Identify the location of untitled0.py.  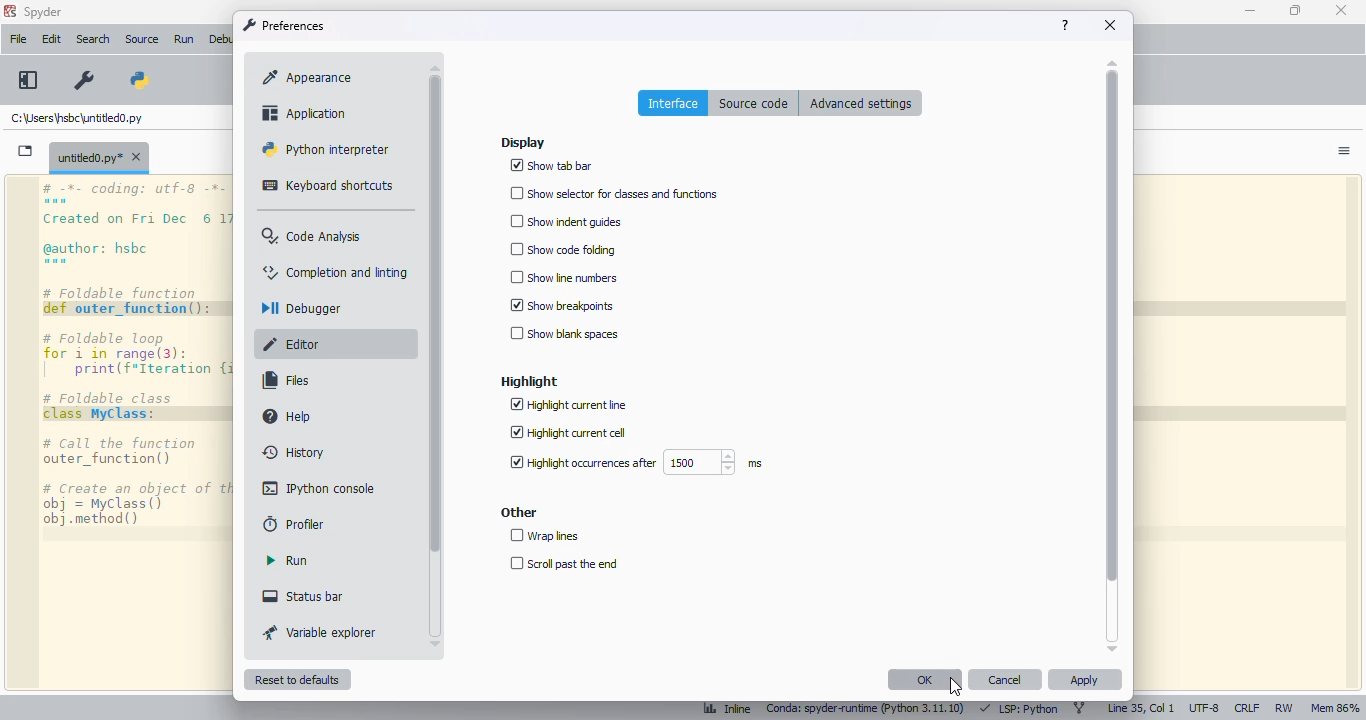
(99, 156).